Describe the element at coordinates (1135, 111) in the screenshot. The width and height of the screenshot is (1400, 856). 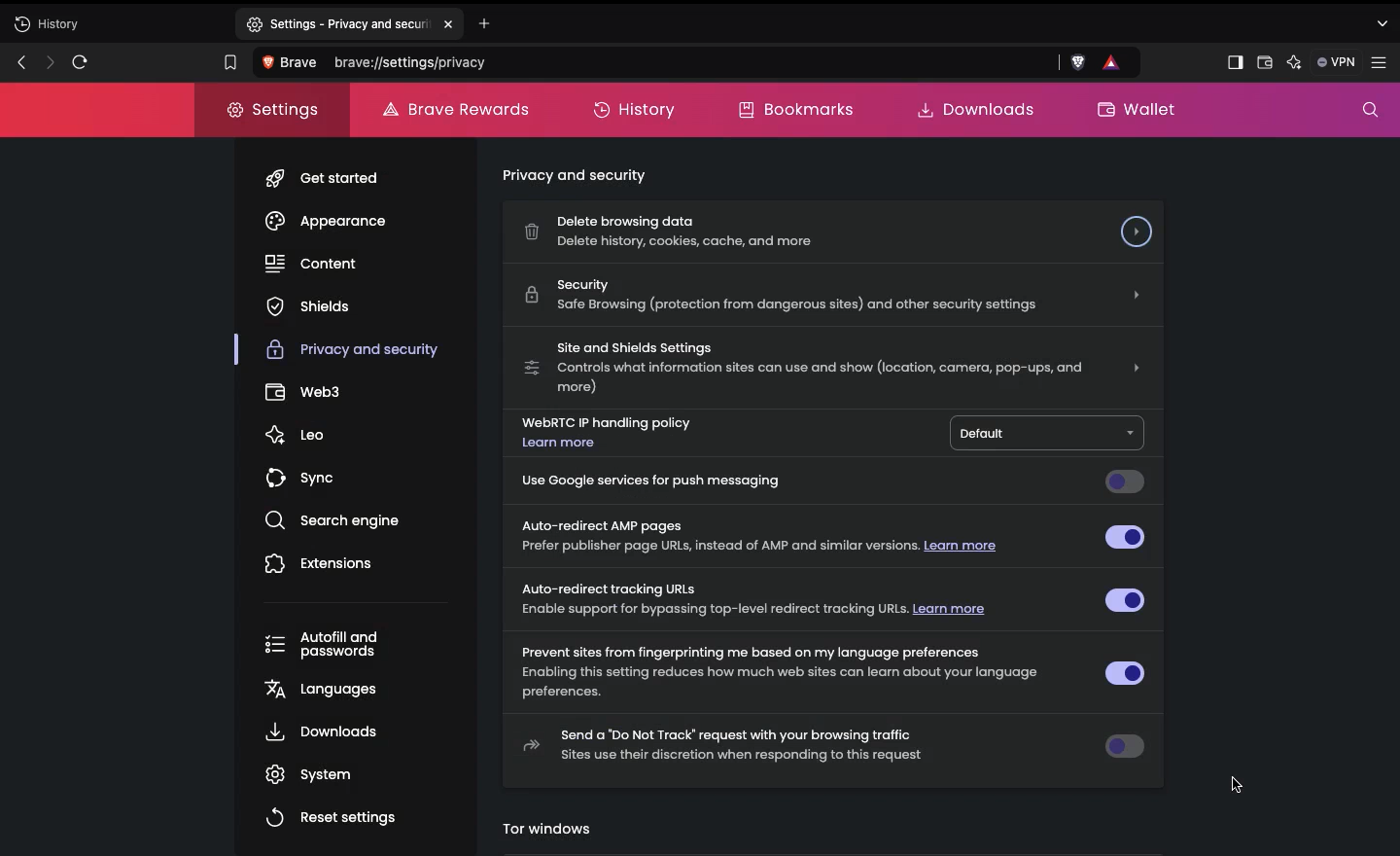
I see `Wallet` at that location.